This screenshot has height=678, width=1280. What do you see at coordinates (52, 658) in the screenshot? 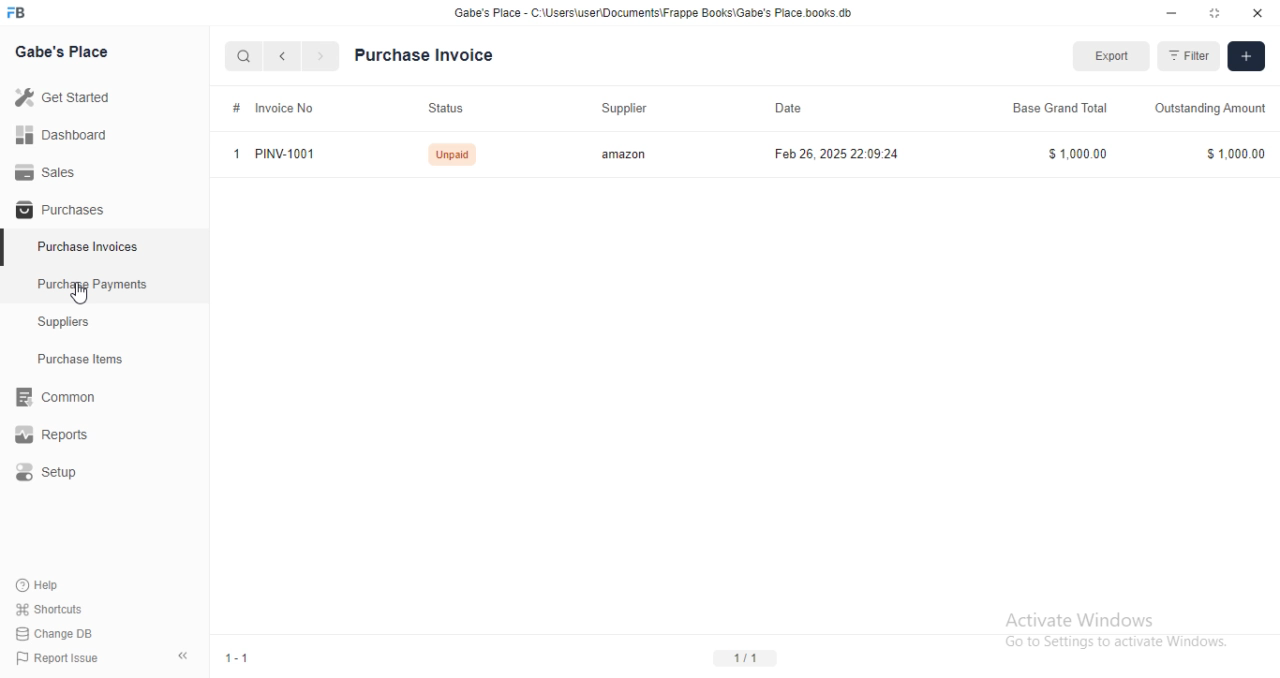
I see `Report Issue` at bounding box center [52, 658].